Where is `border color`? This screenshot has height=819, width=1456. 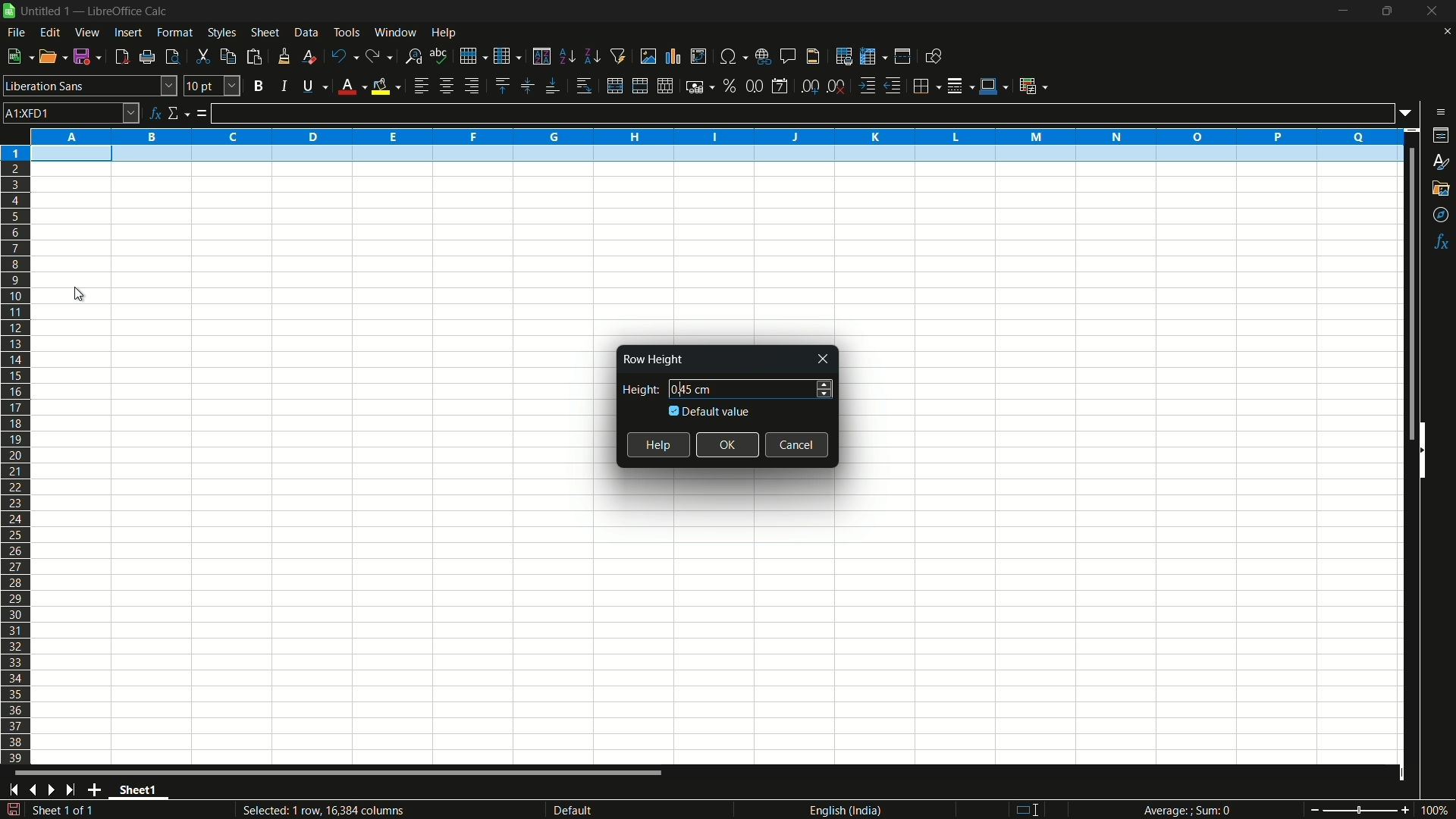 border color is located at coordinates (993, 83).